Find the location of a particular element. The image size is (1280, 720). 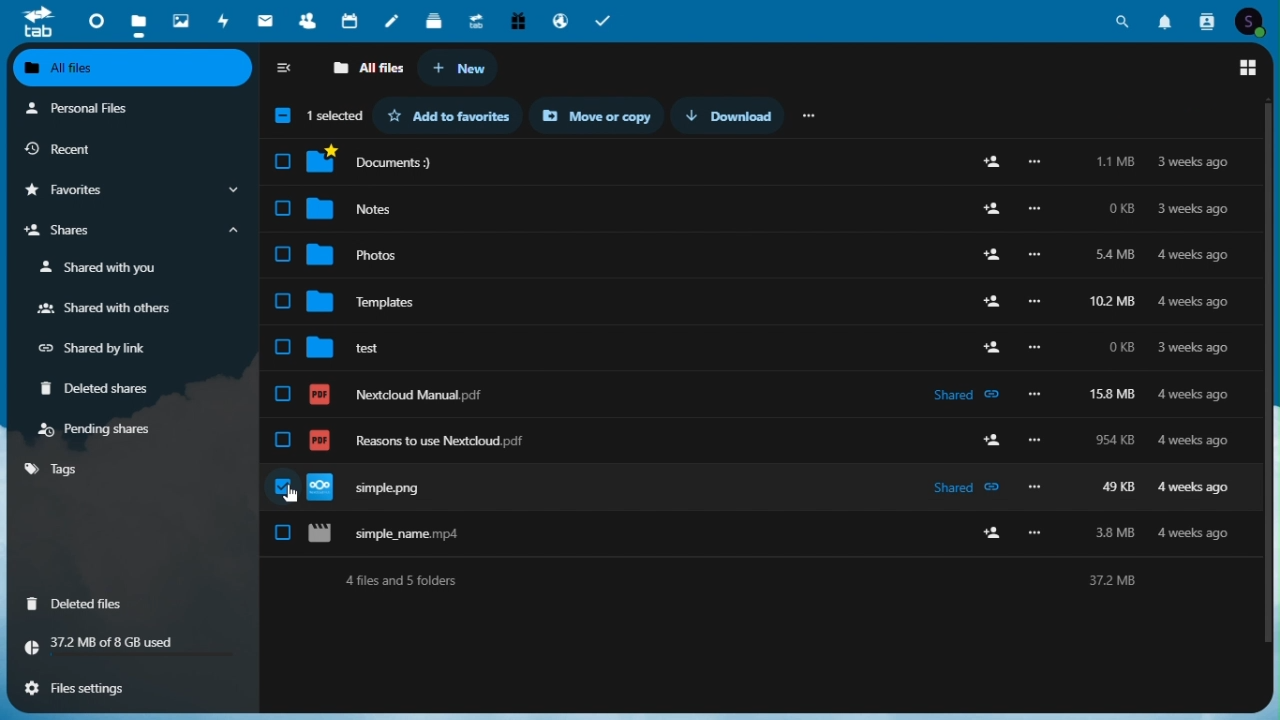

Reasons to use Nextcloud.pdf 954 KB 4 weeks ago is located at coordinates (763, 432).